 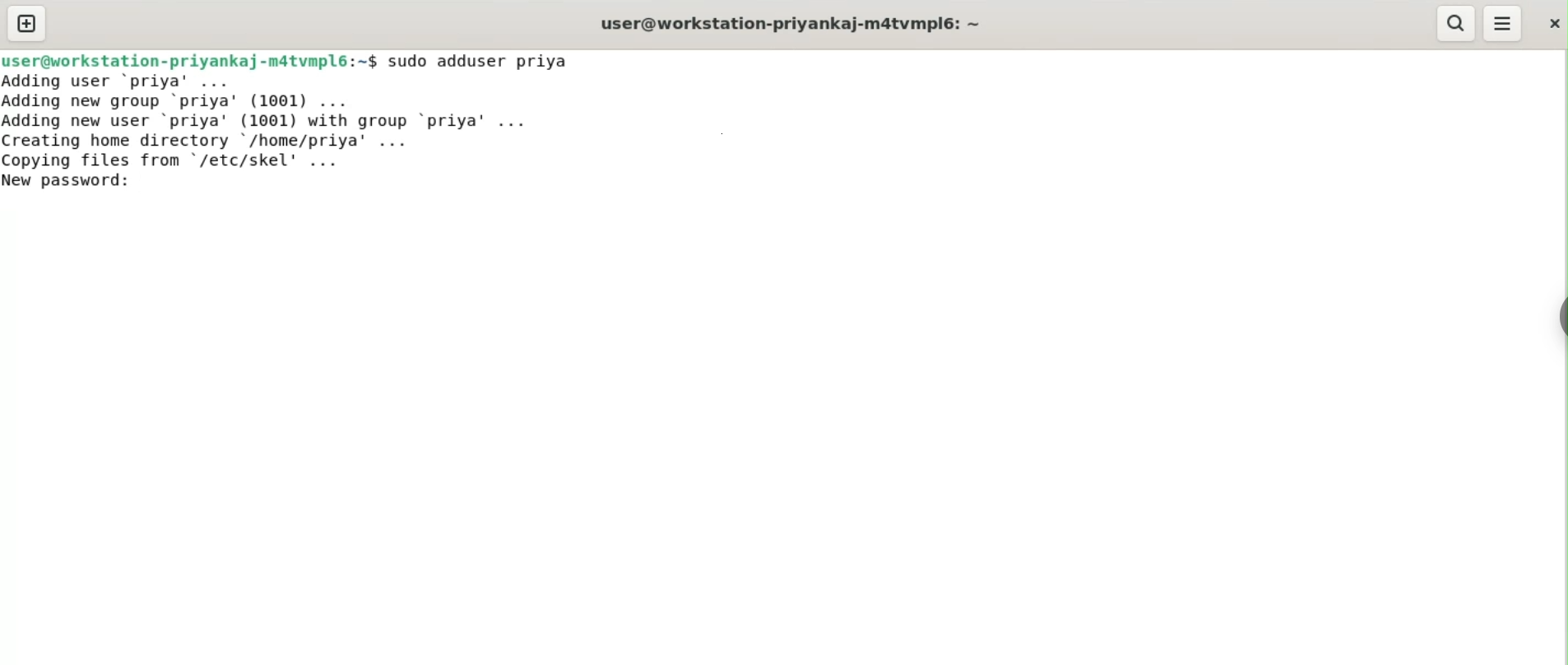 What do you see at coordinates (318, 119) in the screenshot?
I see `Adding user ‘priya’ ...

Adding new group ‘priya’ (1001) ...

Adding new user ‘priya' (1001) with group ‘priya’ ...
Creating home directory /home/priya’ ...

Copving files from "/etc/skel' ...` at bounding box center [318, 119].